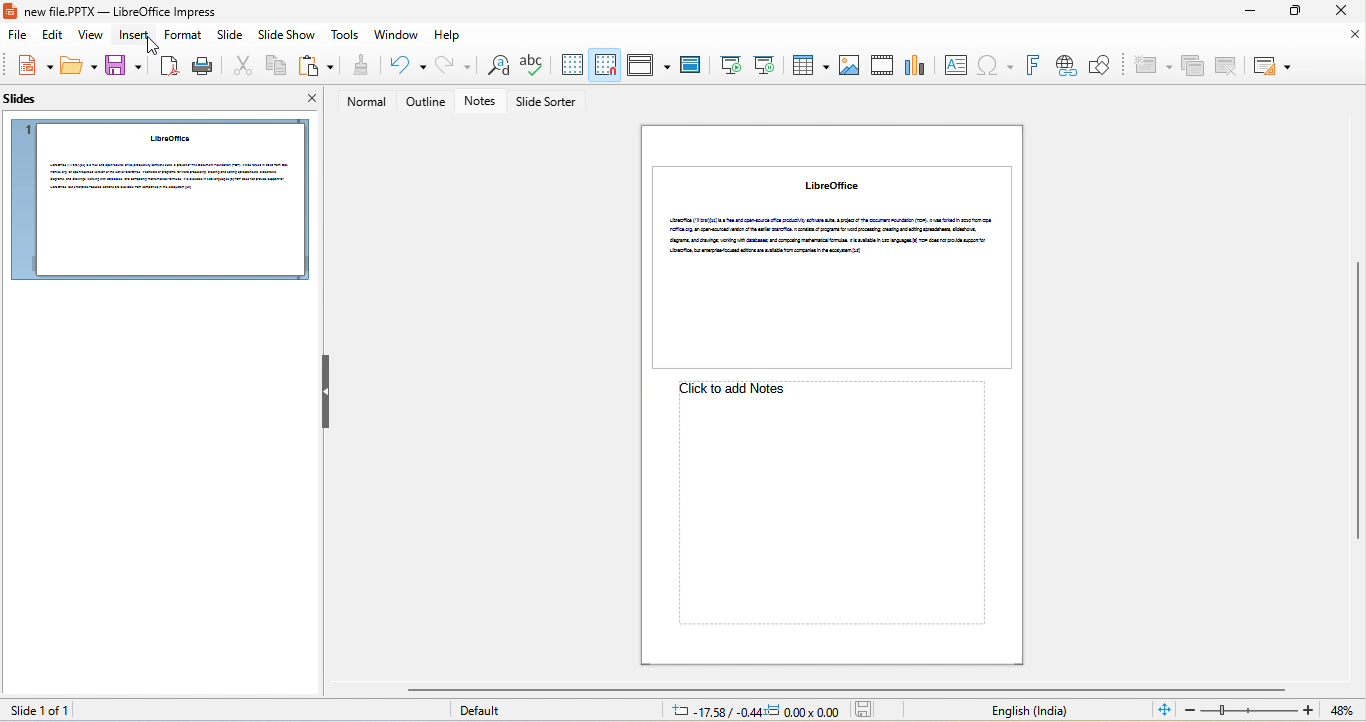 Image resolution: width=1366 pixels, height=722 pixels. What do you see at coordinates (182, 35) in the screenshot?
I see `format` at bounding box center [182, 35].